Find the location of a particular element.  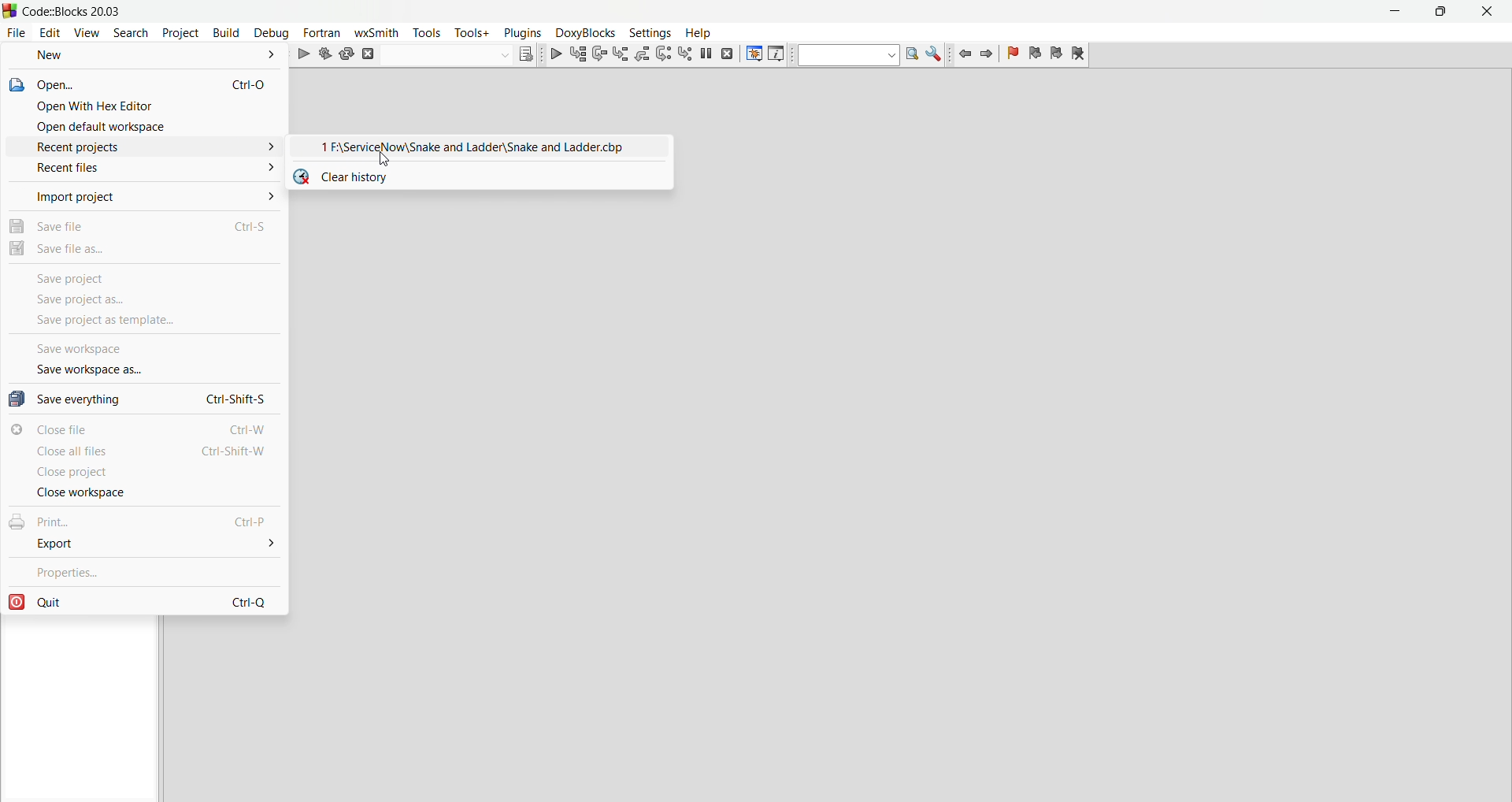

tools+ is located at coordinates (471, 32).